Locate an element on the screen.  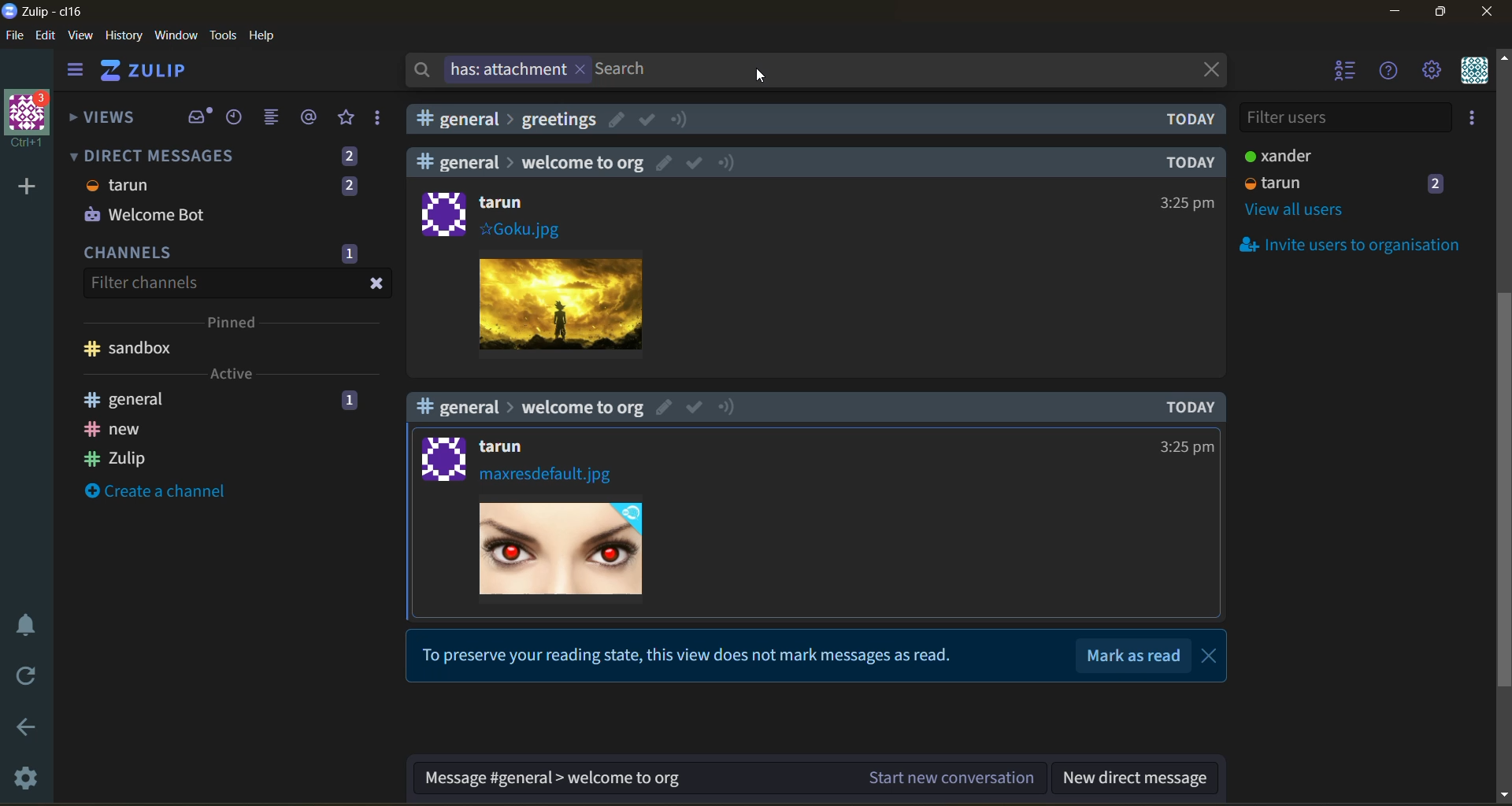
tarun is located at coordinates (119, 185).